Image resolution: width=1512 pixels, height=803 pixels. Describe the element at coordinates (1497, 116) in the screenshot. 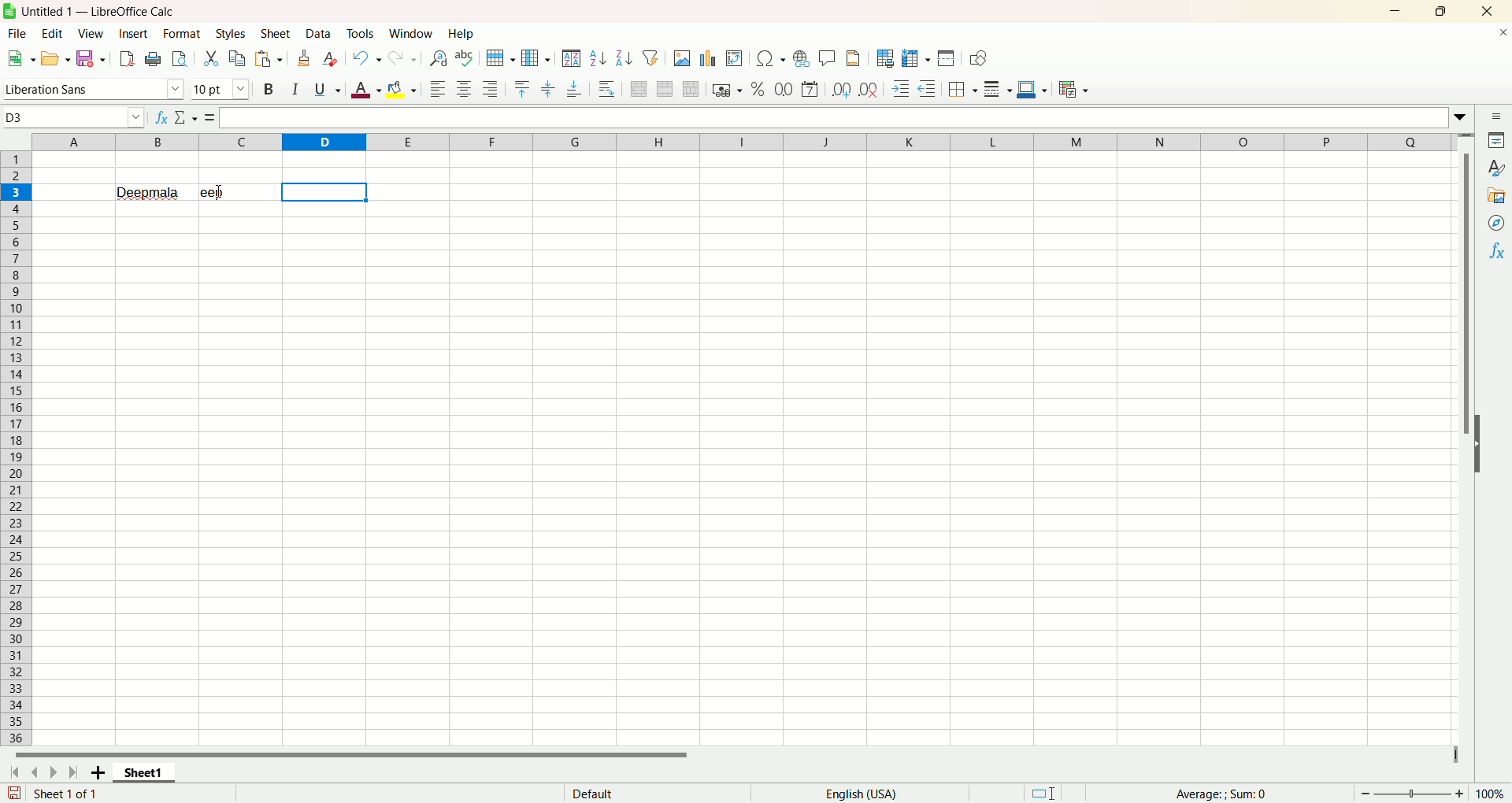

I see `Sidebar settings` at that location.